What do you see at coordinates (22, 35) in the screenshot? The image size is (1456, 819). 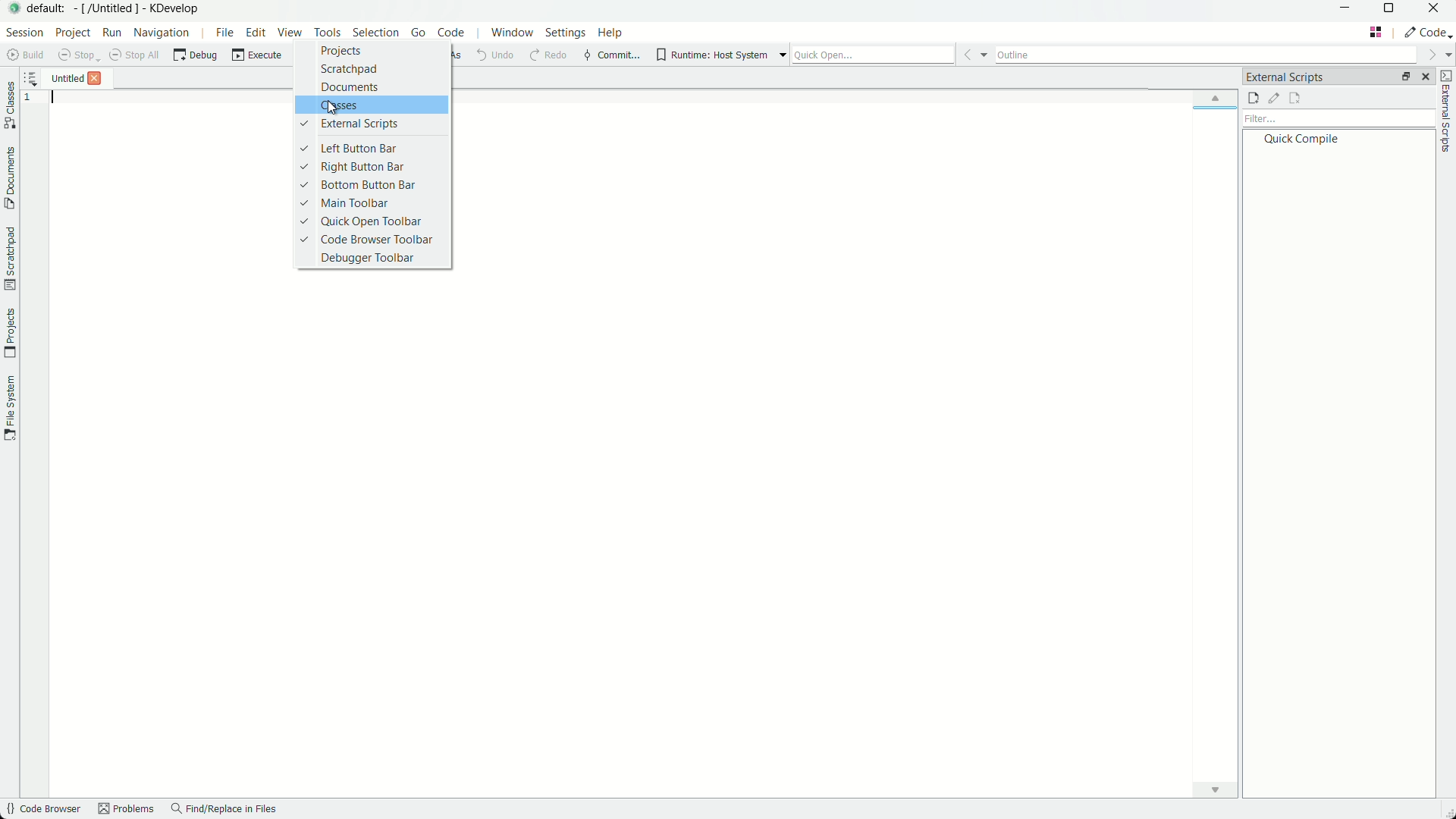 I see `section` at bounding box center [22, 35].